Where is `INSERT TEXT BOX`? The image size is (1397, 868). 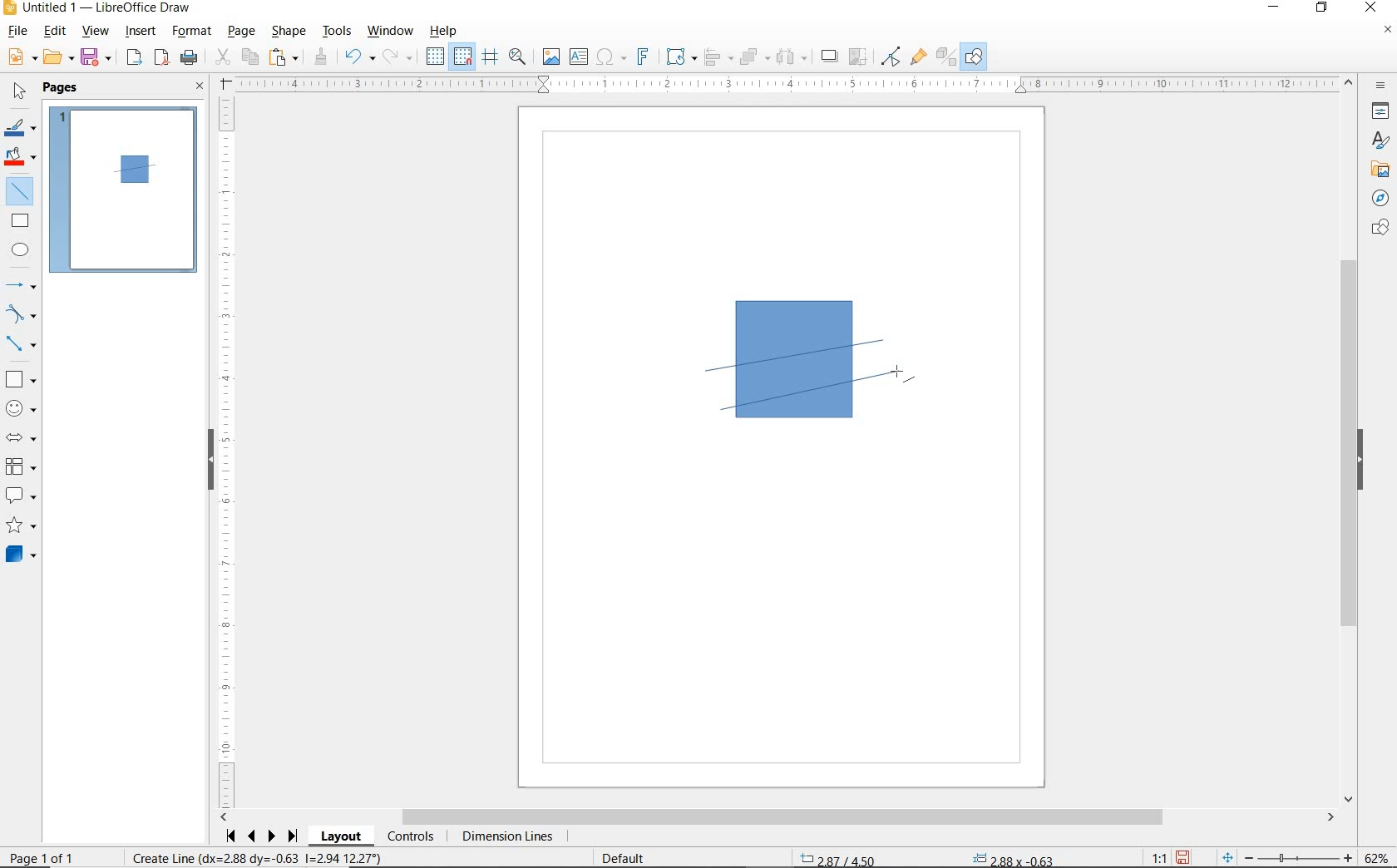
INSERT TEXT BOX is located at coordinates (578, 57).